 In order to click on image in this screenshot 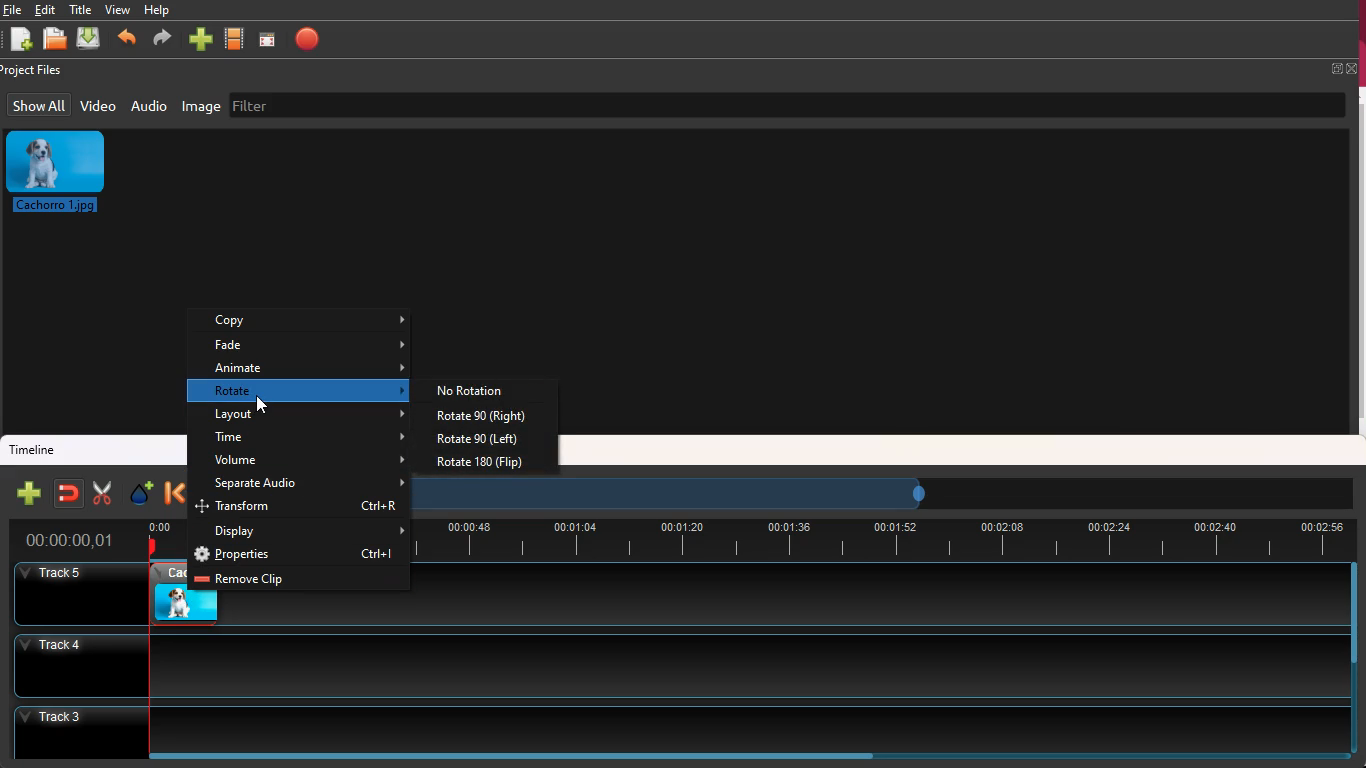, I will do `click(67, 176)`.